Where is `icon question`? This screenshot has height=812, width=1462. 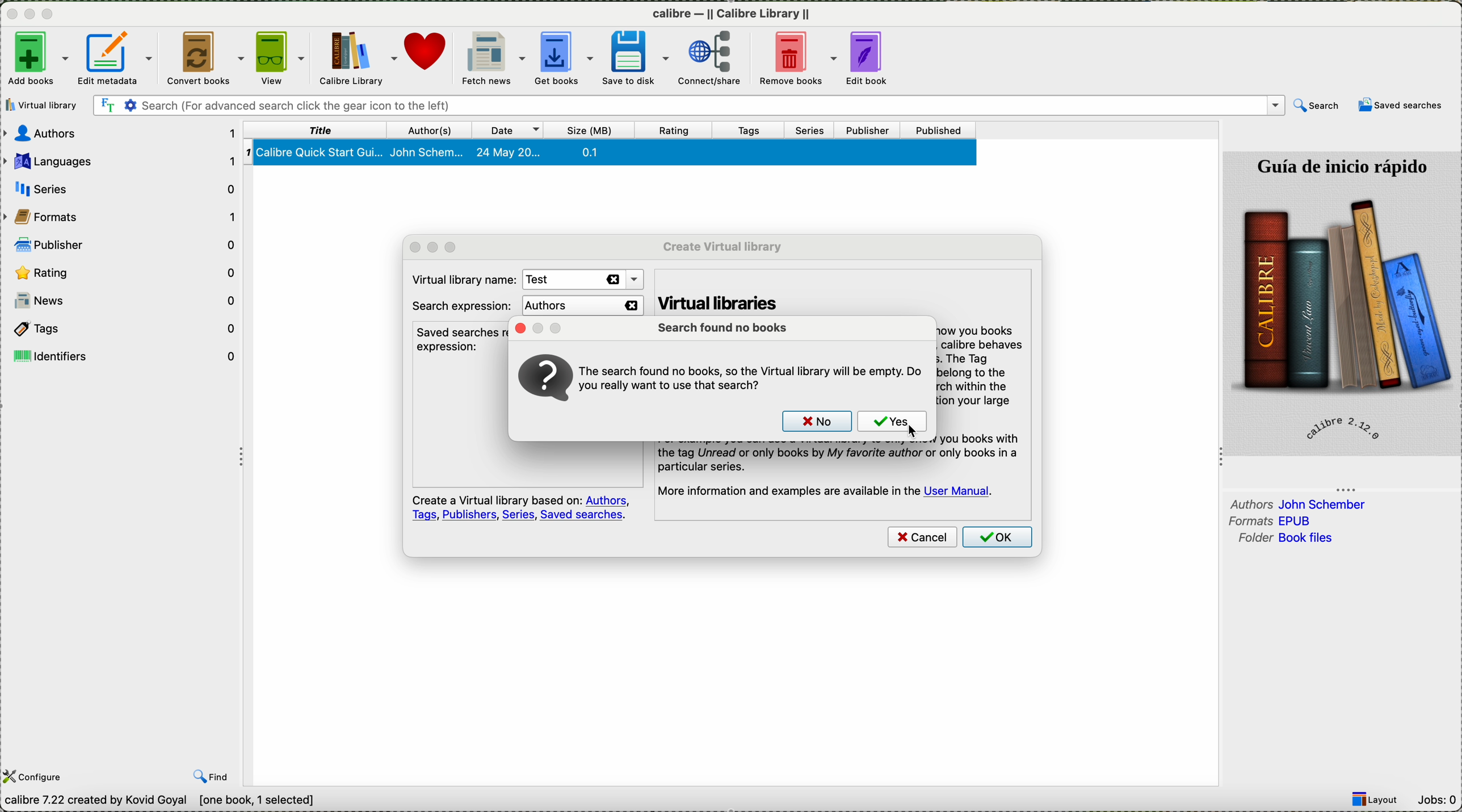
icon question is located at coordinates (544, 377).